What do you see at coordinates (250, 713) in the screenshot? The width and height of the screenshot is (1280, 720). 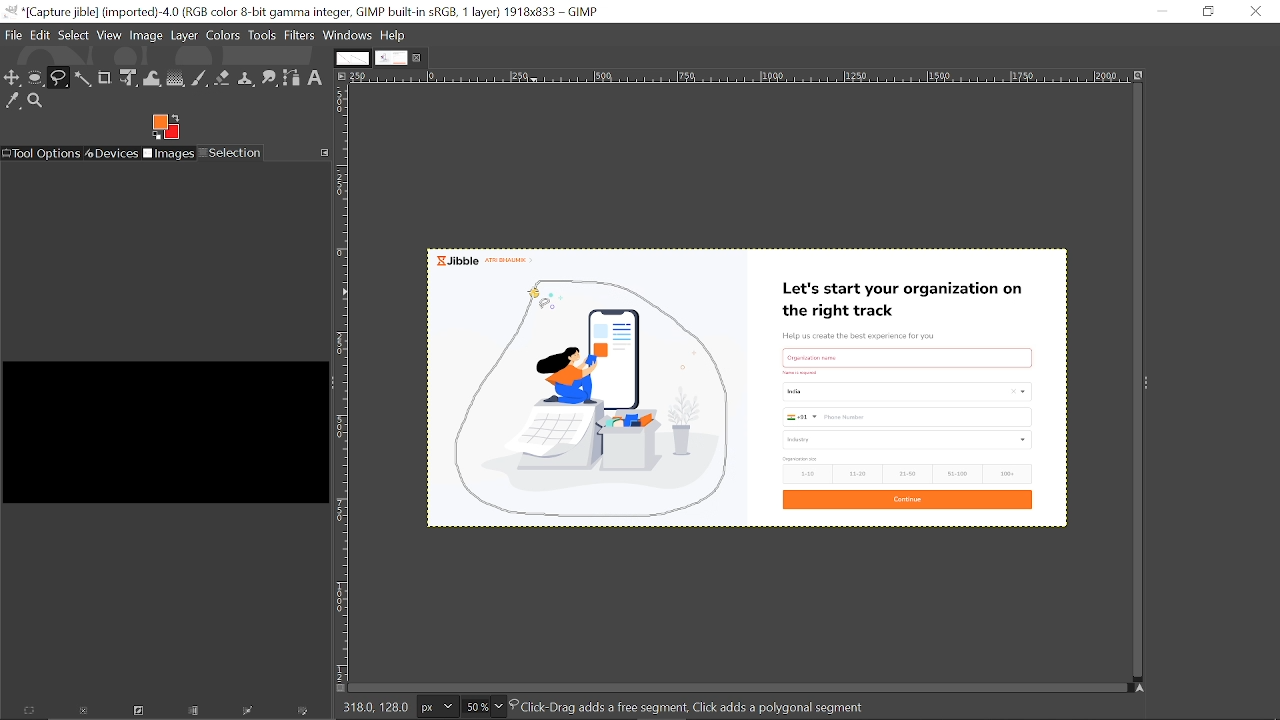 I see `Selection to path` at bounding box center [250, 713].